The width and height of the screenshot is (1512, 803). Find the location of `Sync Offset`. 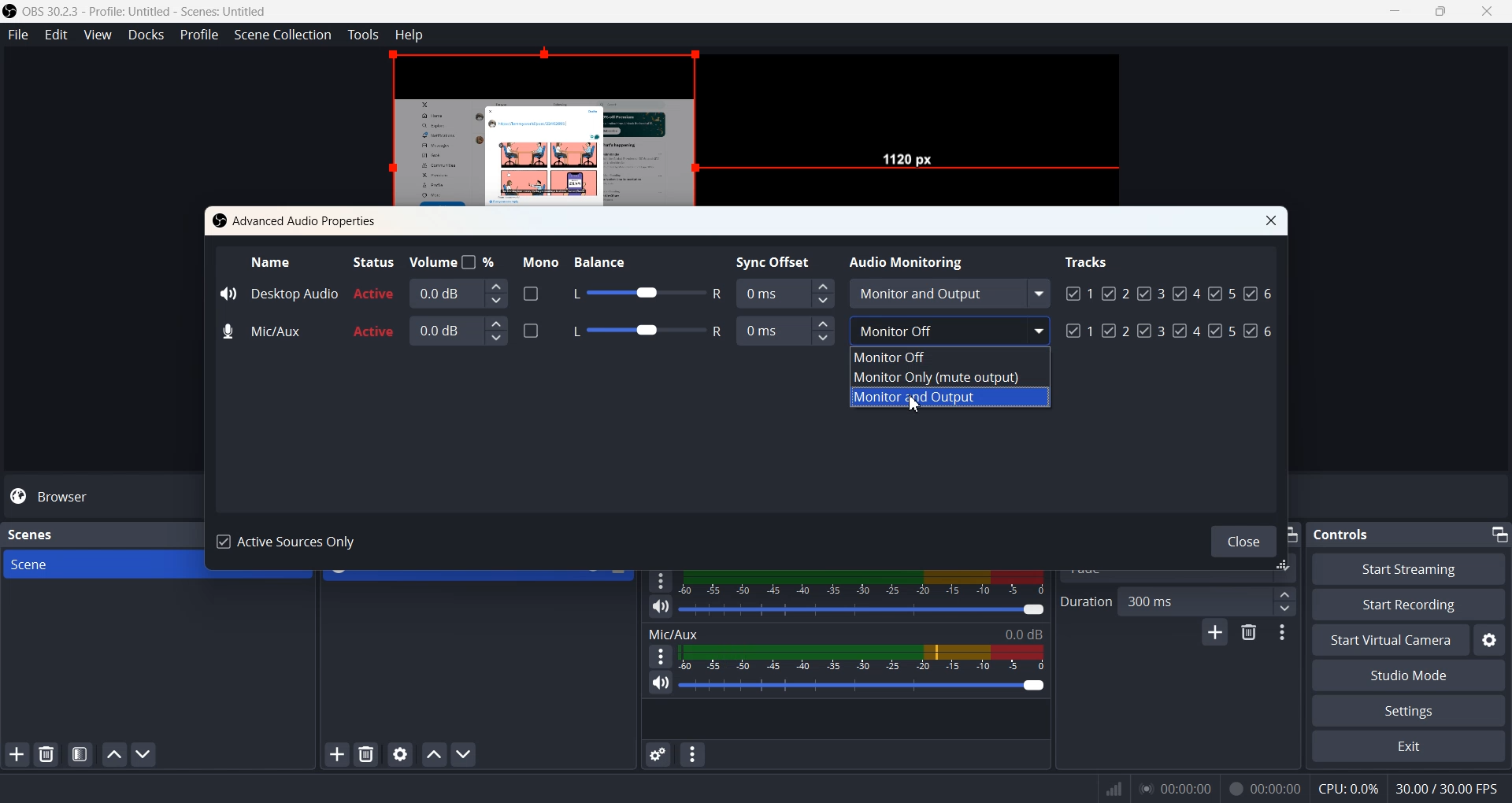

Sync Offset is located at coordinates (778, 260).